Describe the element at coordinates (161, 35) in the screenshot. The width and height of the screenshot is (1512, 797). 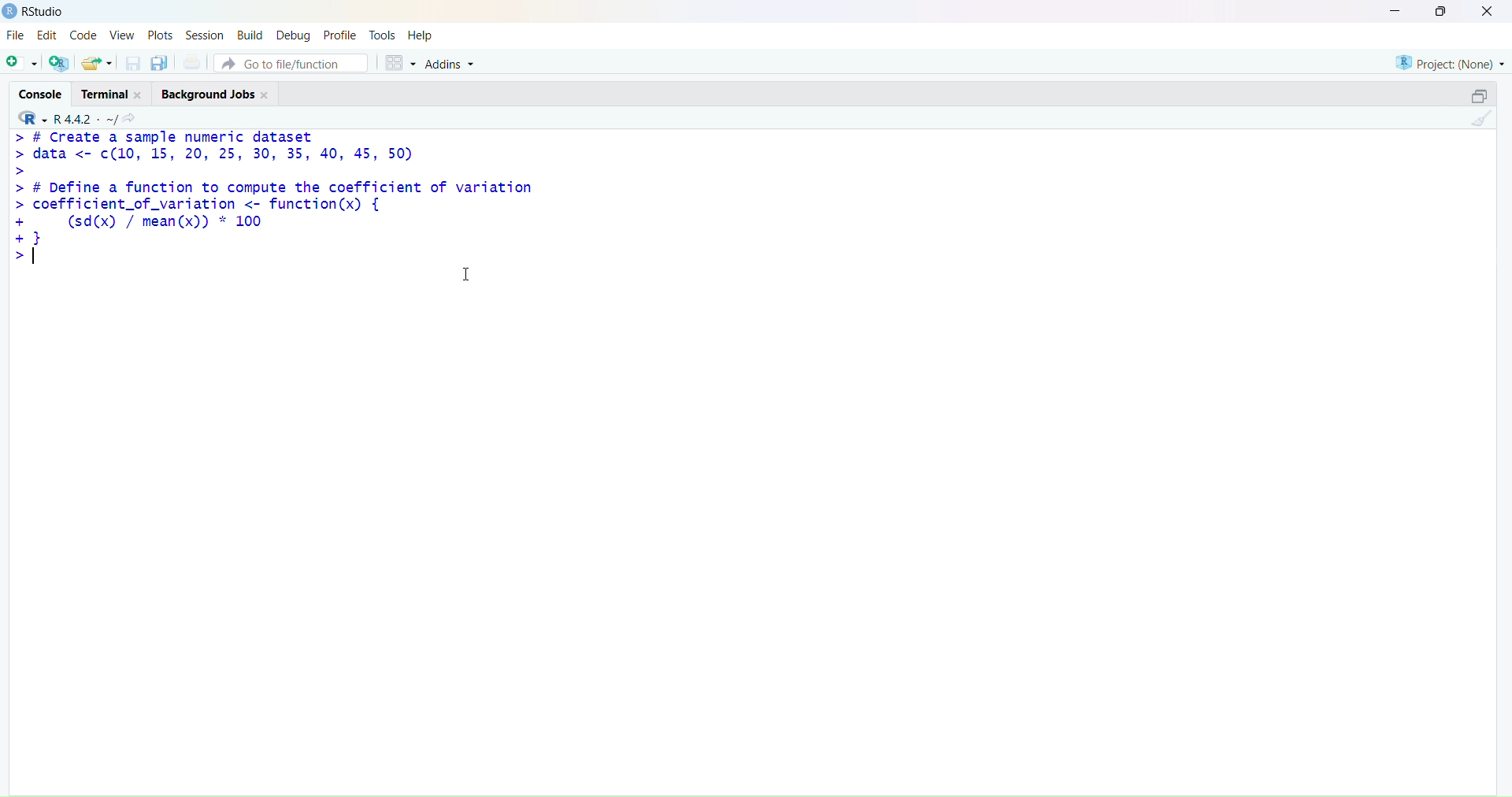
I see `plots` at that location.